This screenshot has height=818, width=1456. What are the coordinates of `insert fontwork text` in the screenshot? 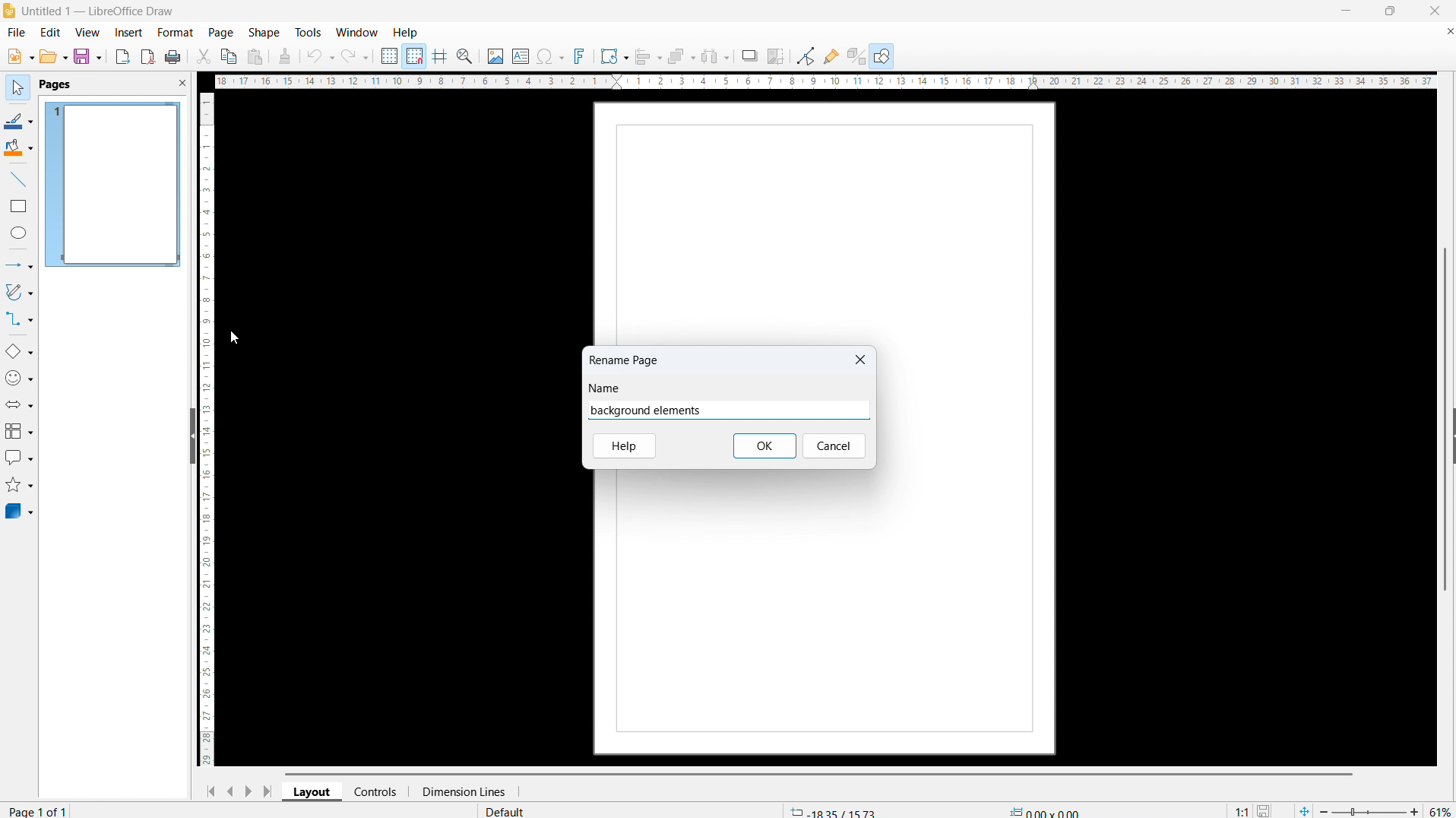 It's located at (580, 56).